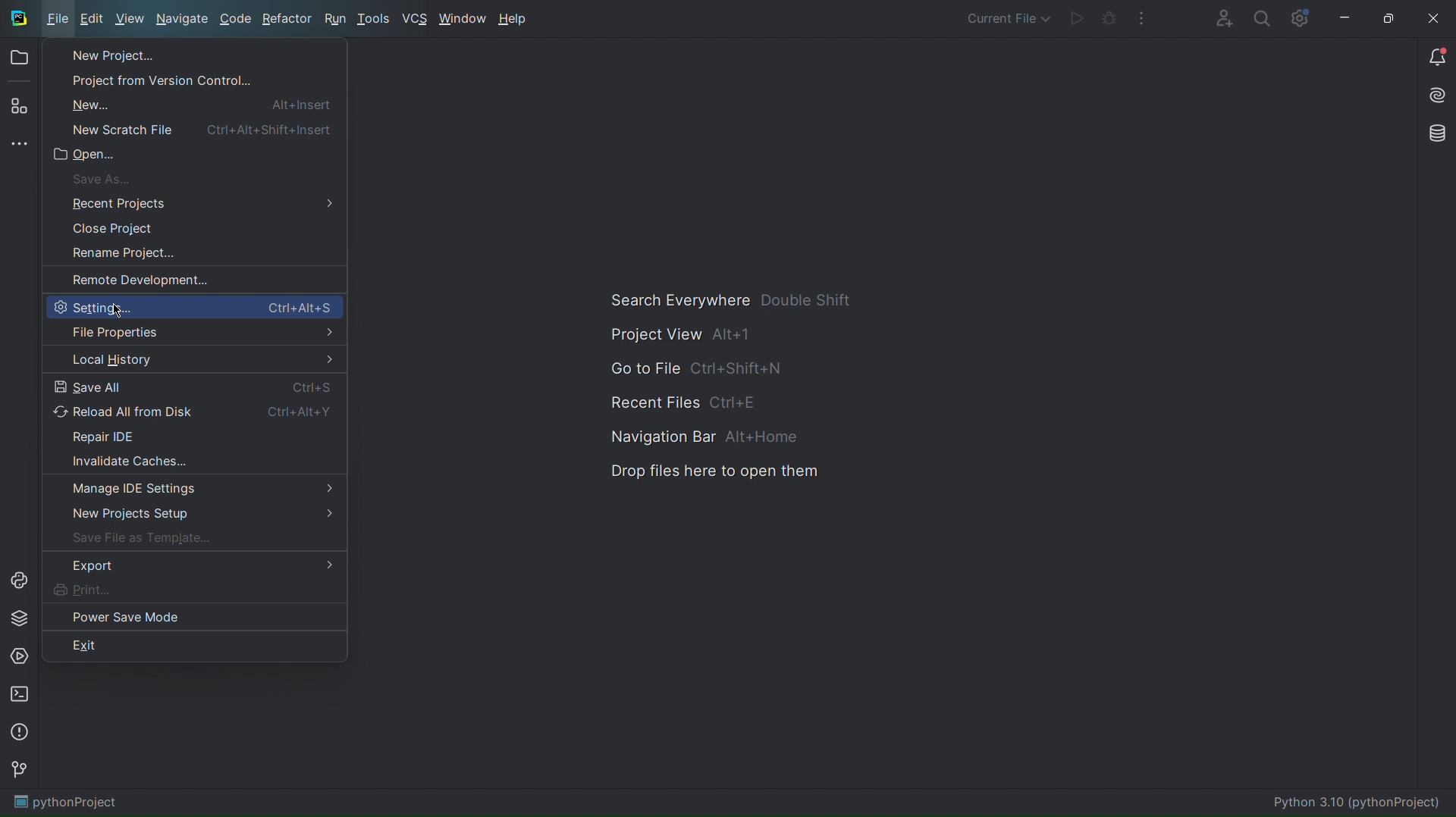 This screenshot has width=1456, height=817. What do you see at coordinates (129, 21) in the screenshot?
I see `View` at bounding box center [129, 21].